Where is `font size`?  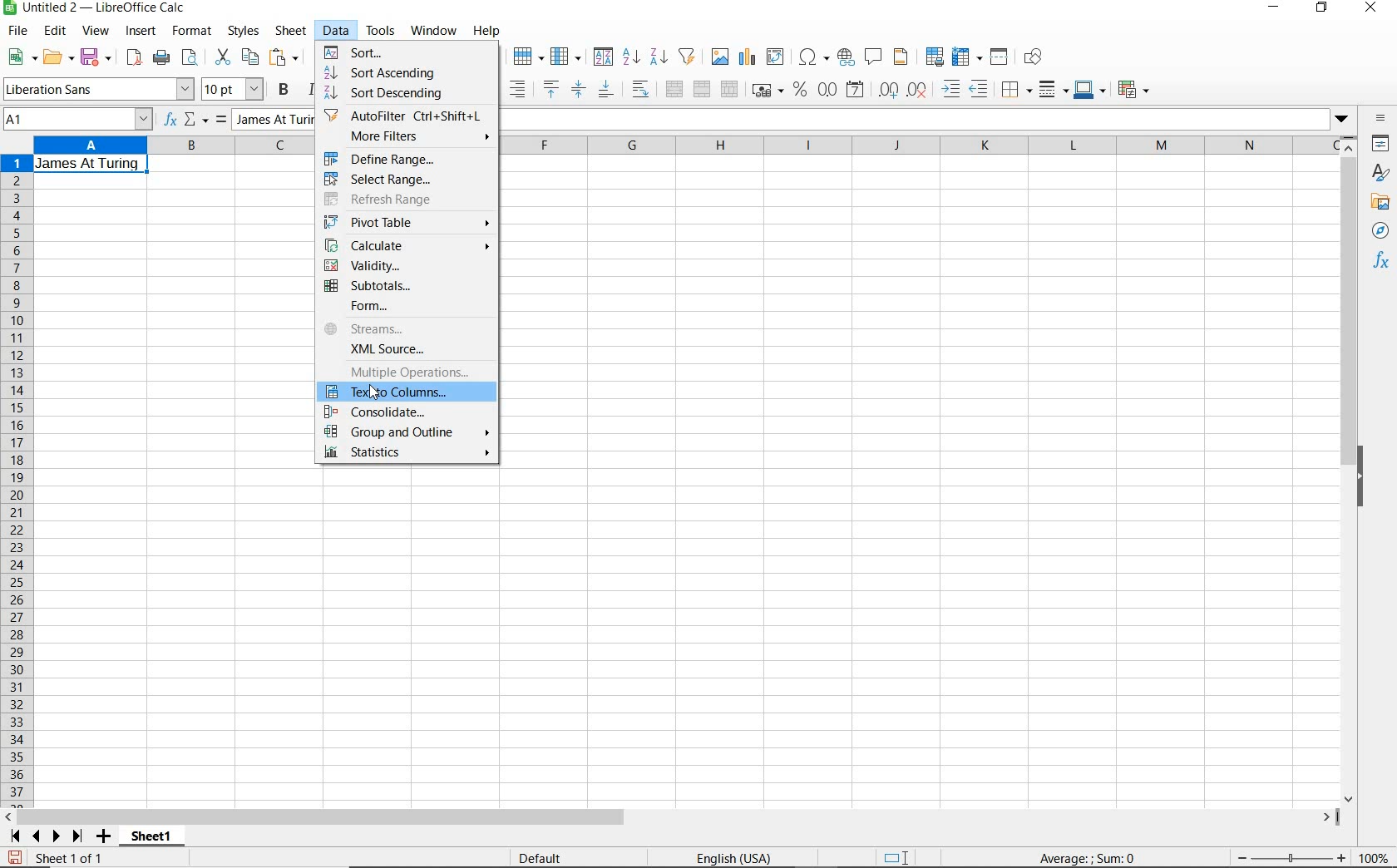 font size is located at coordinates (234, 89).